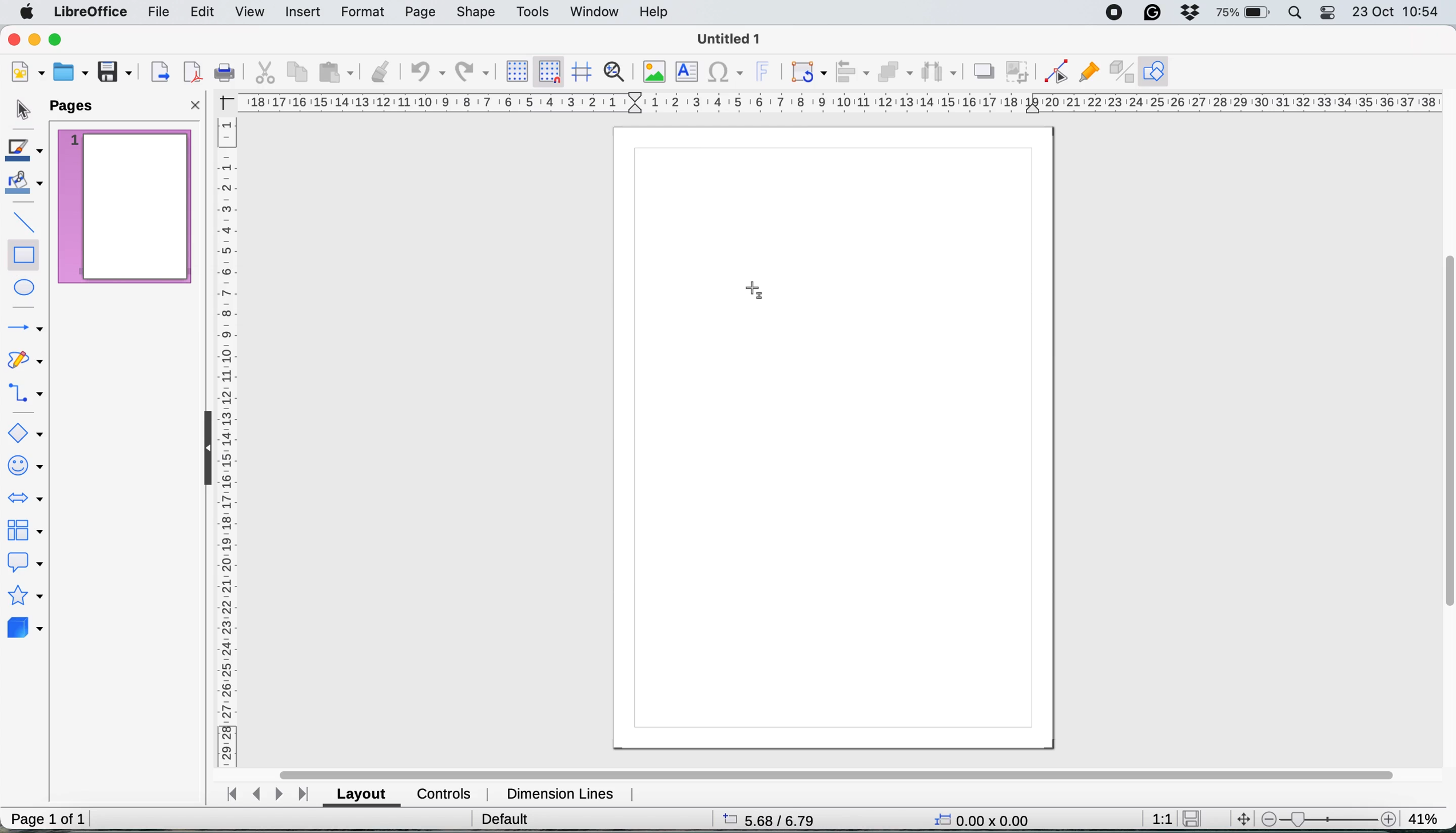  What do you see at coordinates (1329, 12) in the screenshot?
I see `control center` at bounding box center [1329, 12].